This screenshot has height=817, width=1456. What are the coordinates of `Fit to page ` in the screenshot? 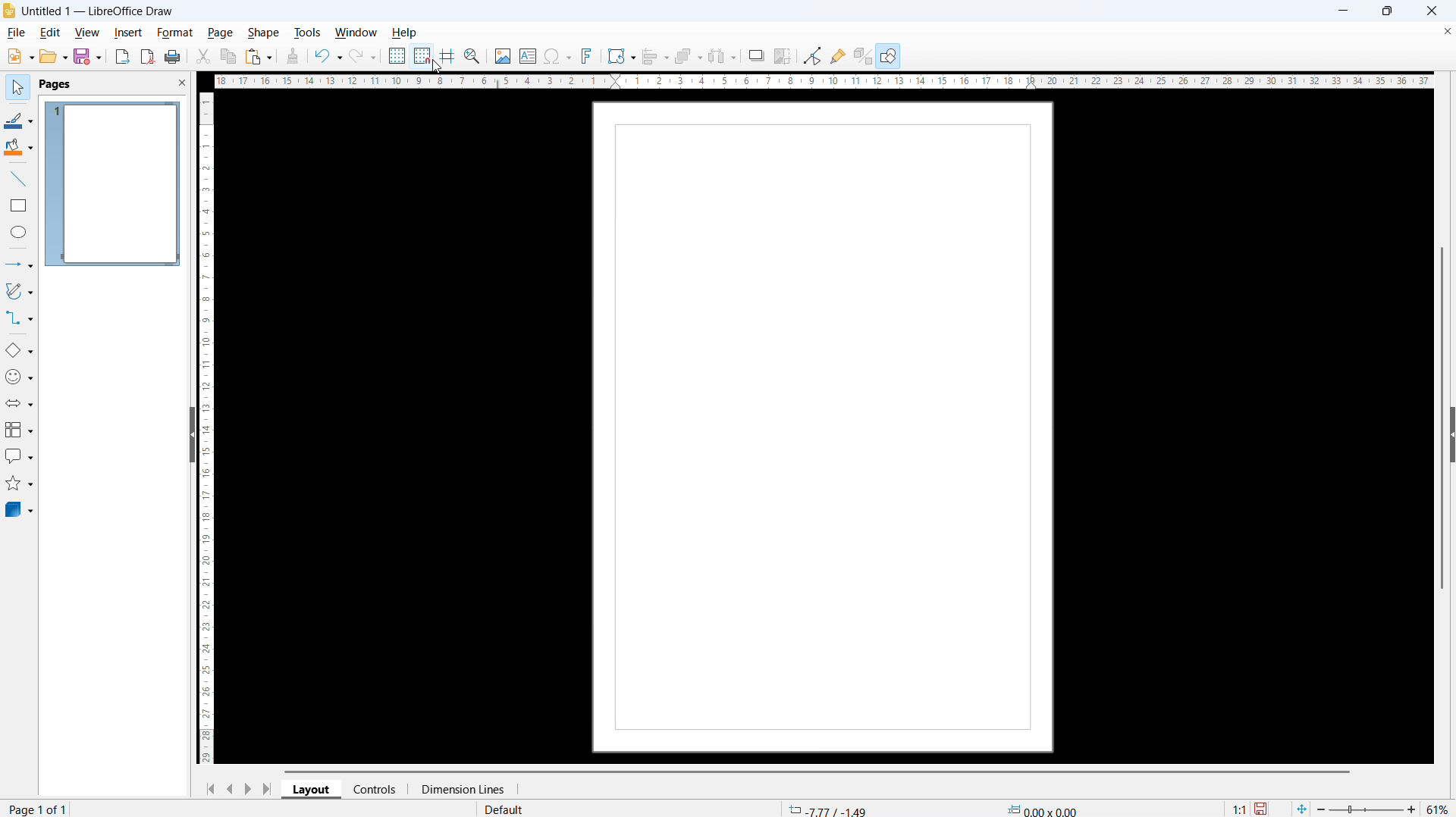 It's located at (1299, 807).